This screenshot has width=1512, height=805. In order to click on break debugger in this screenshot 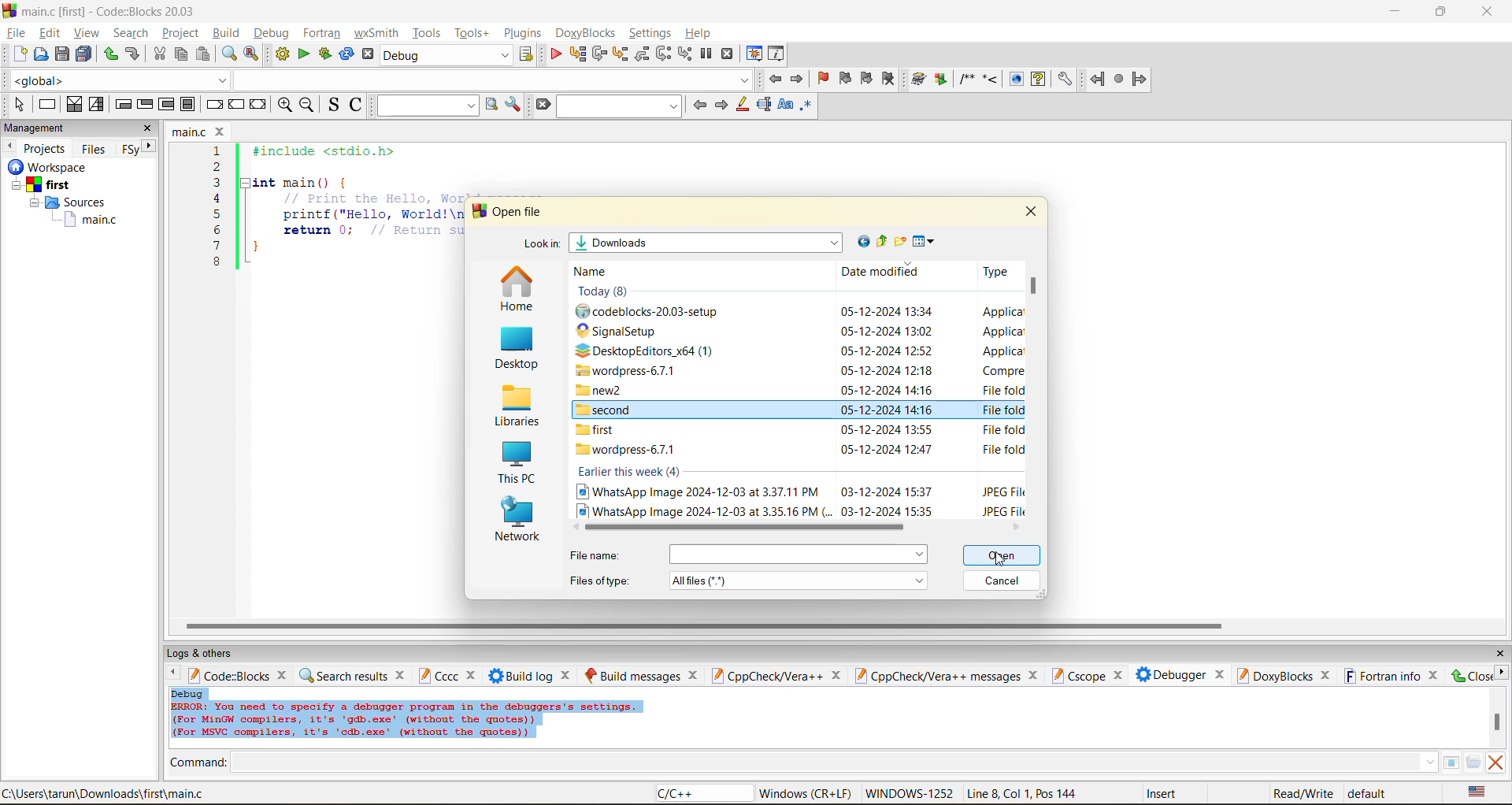, I will do `click(706, 54)`.